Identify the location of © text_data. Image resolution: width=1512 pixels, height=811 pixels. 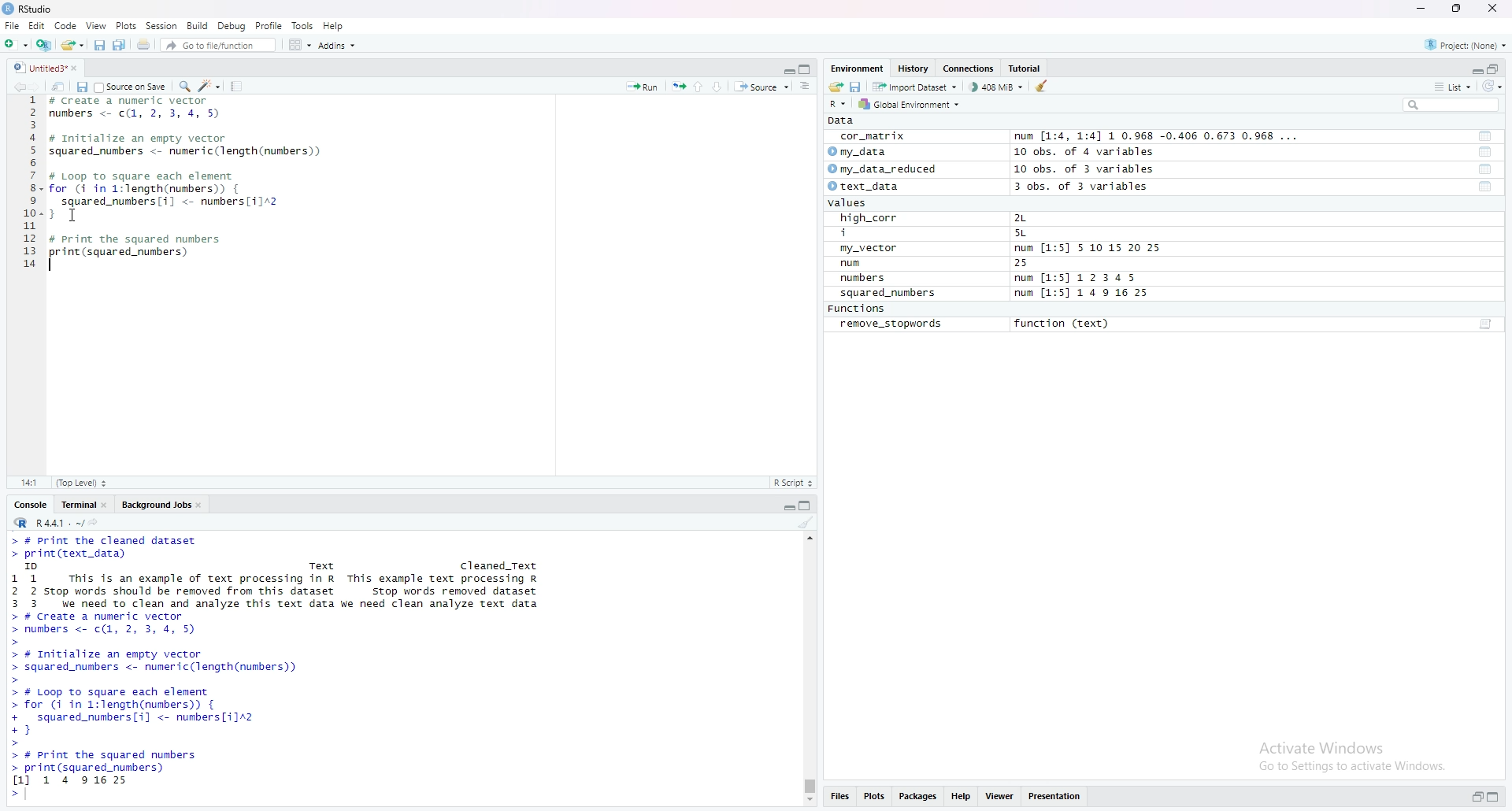
(865, 187).